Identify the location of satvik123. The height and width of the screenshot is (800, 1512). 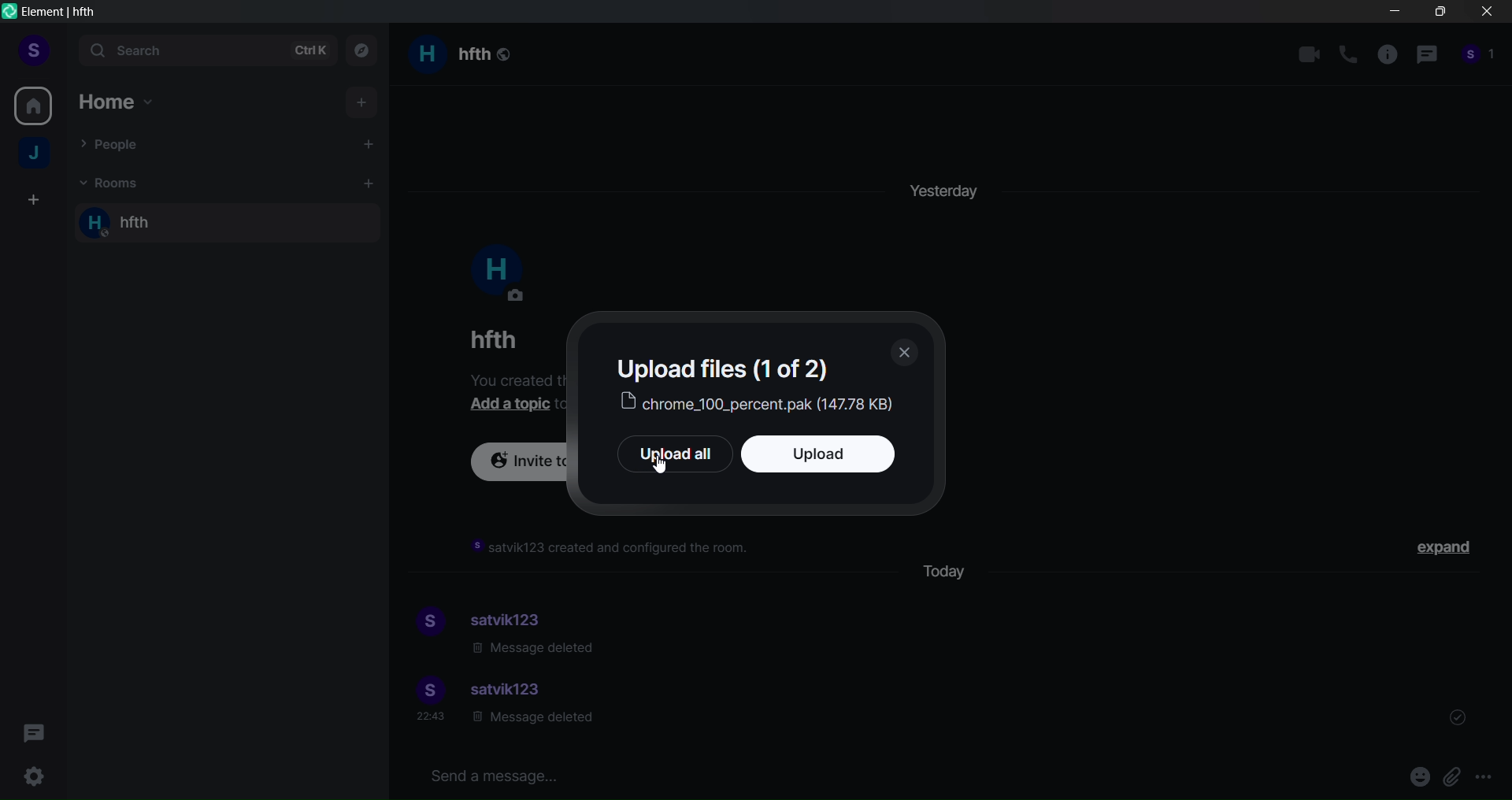
(510, 691).